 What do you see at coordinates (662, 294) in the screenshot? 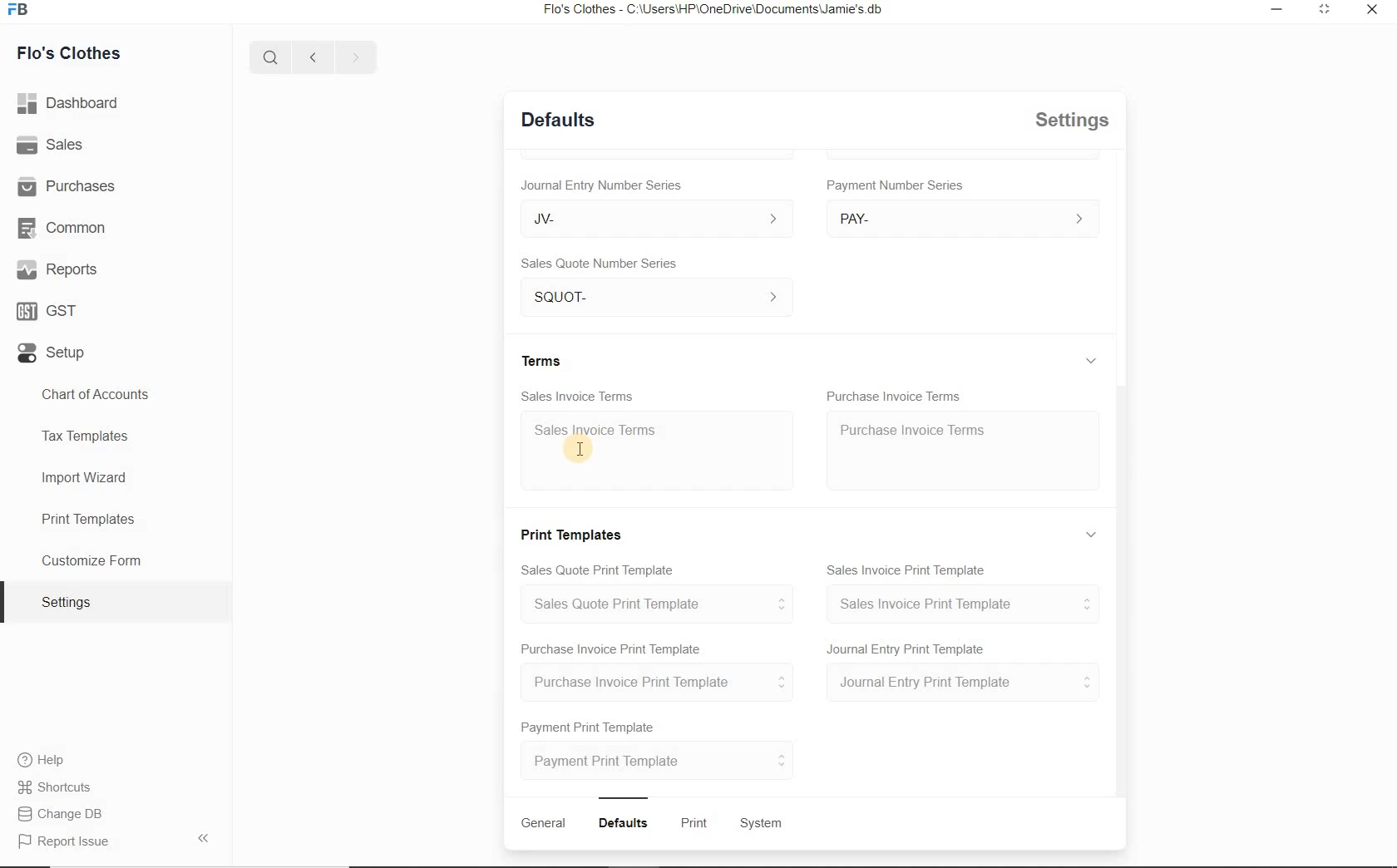
I see `SQUOT` at bounding box center [662, 294].